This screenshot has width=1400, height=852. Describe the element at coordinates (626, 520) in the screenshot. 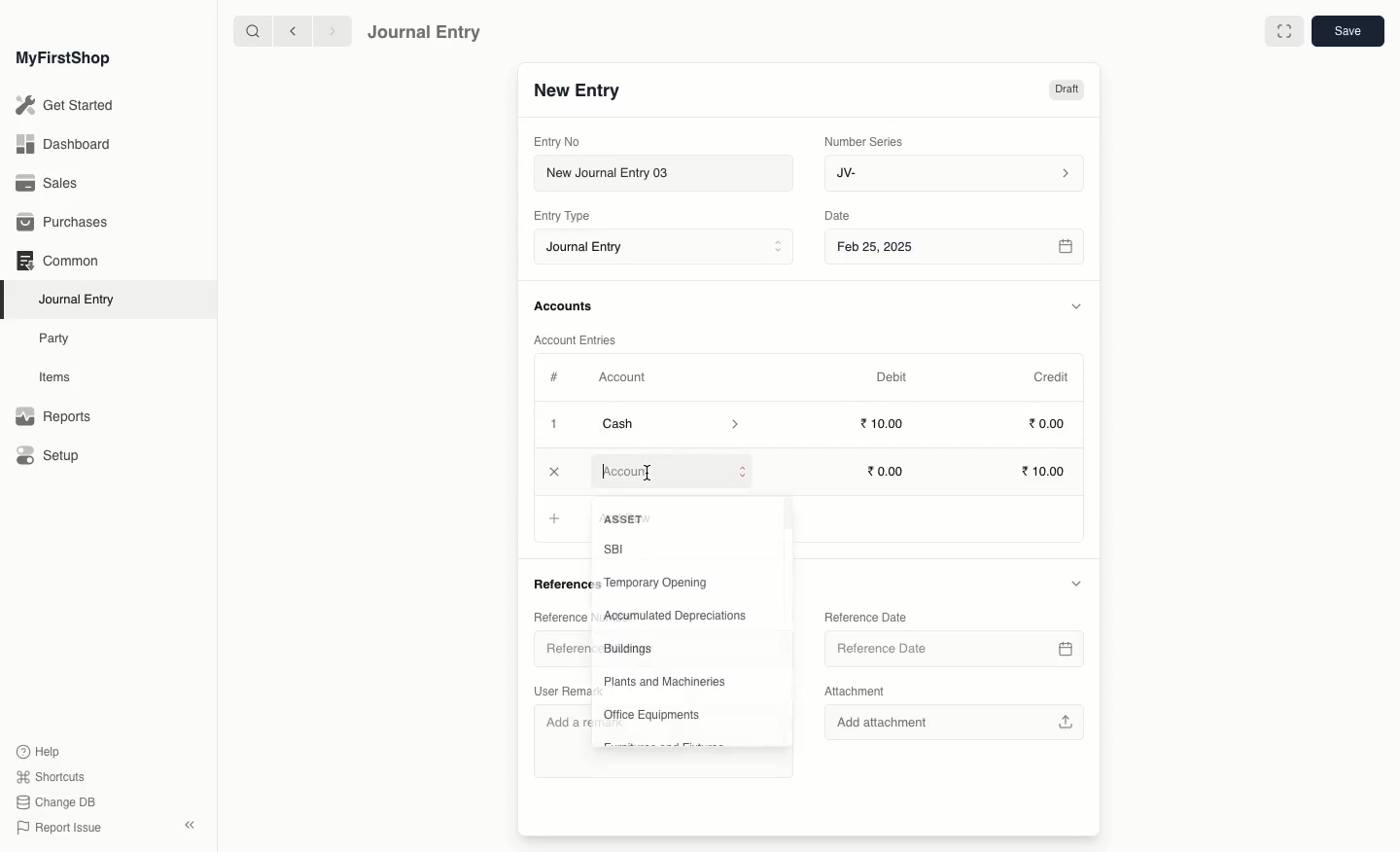

I see `ASSET` at that location.